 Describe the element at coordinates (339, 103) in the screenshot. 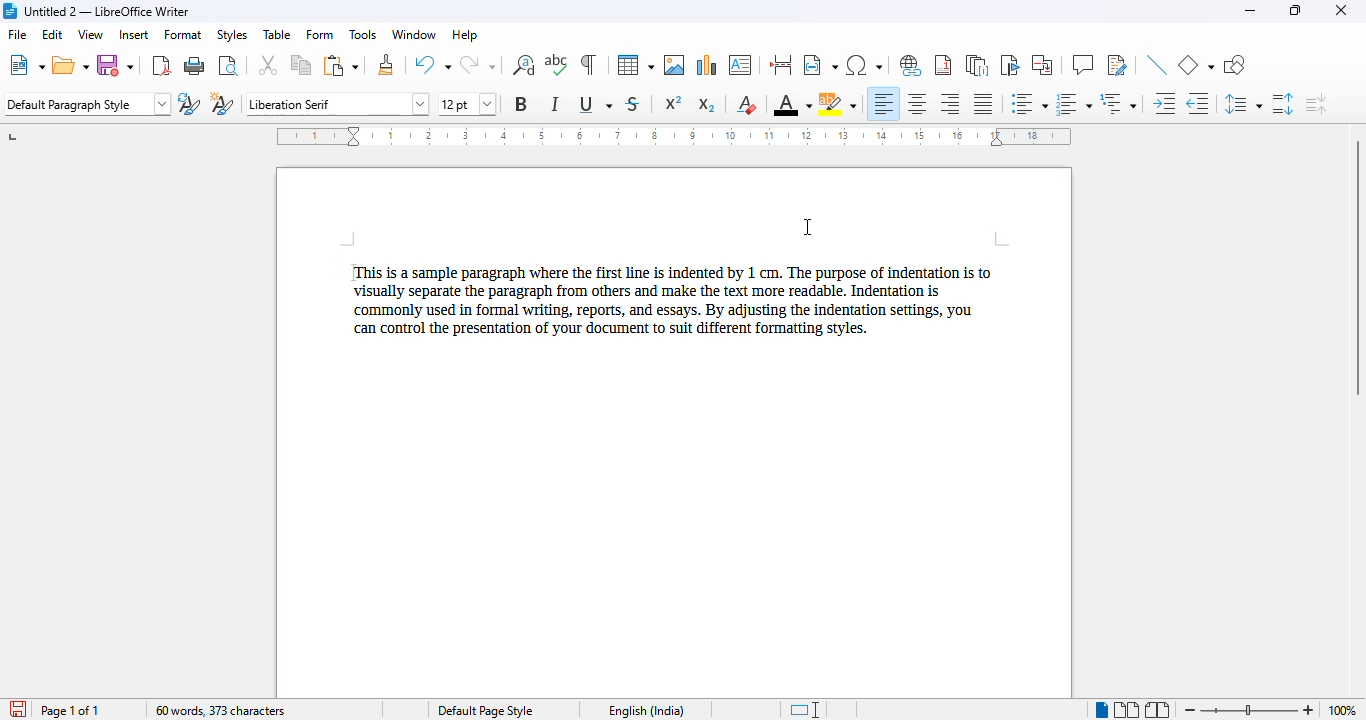

I see `font name` at that location.